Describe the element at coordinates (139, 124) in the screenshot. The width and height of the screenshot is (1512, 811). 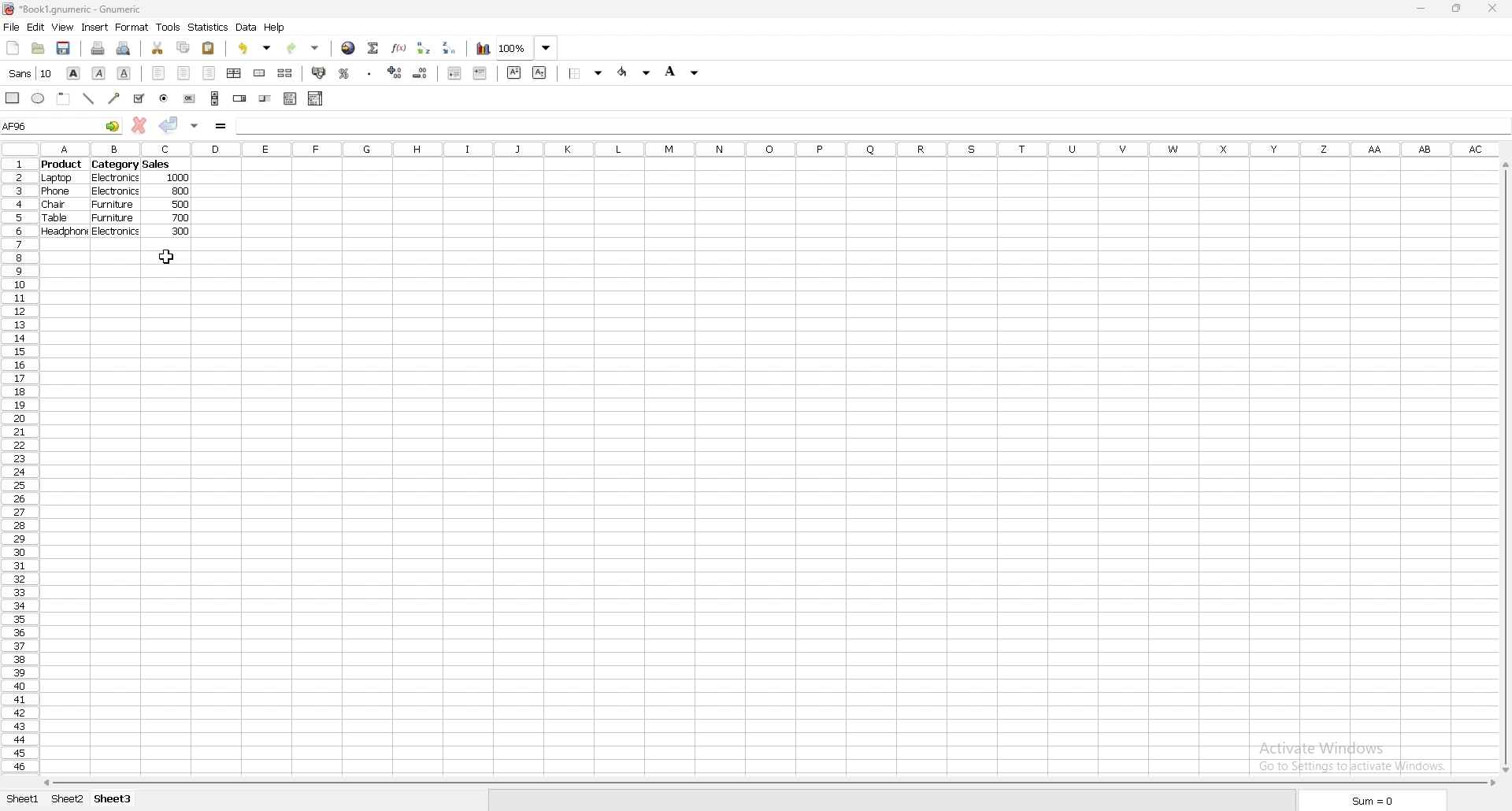
I see `cancel changes` at that location.